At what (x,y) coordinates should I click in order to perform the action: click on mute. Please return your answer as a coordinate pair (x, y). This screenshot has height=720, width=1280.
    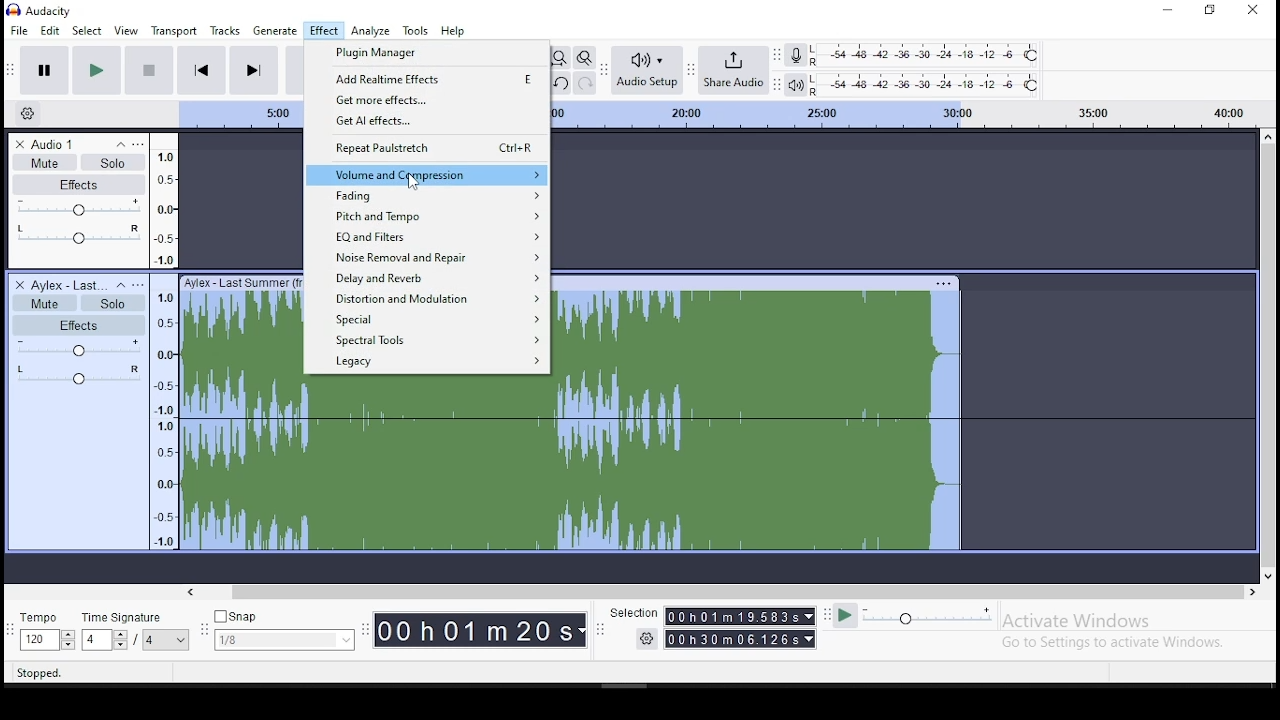
    Looking at the image, I should click on (43, 162).